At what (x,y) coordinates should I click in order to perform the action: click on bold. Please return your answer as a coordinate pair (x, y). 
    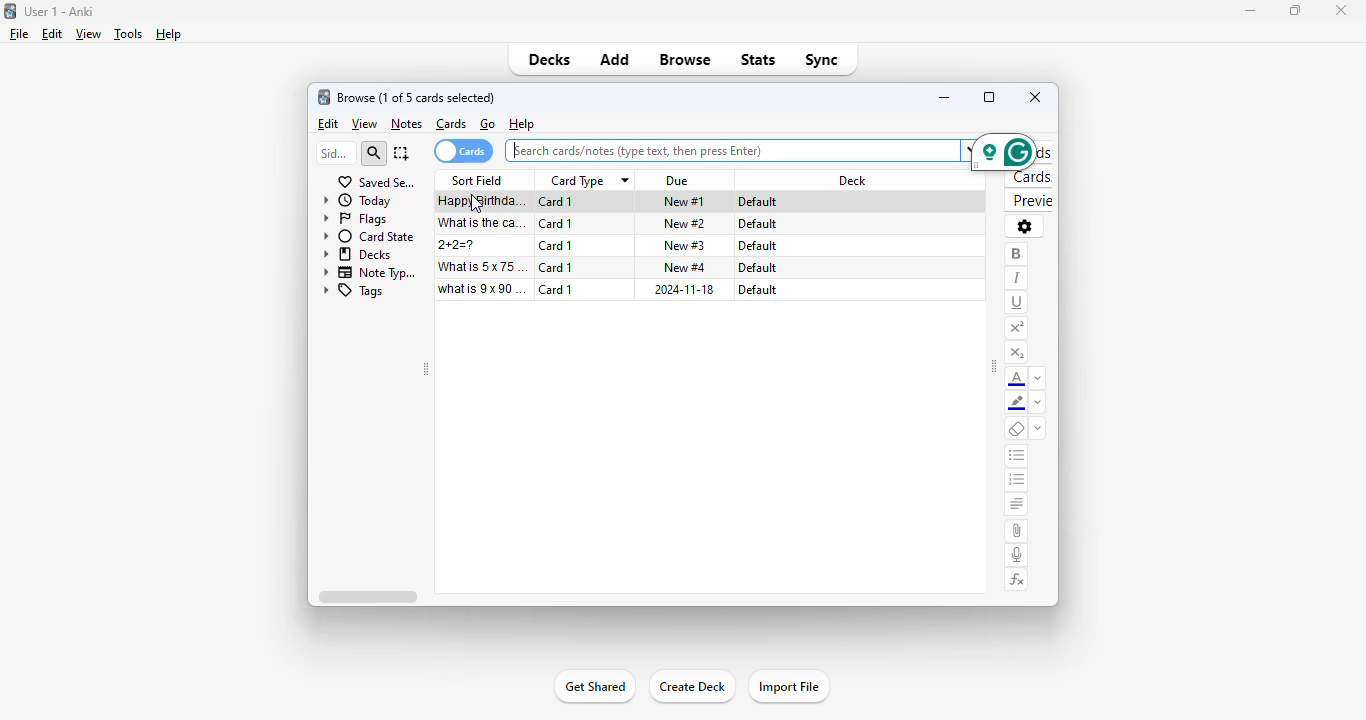
    Looking at the image, I should click on (1016, 255).